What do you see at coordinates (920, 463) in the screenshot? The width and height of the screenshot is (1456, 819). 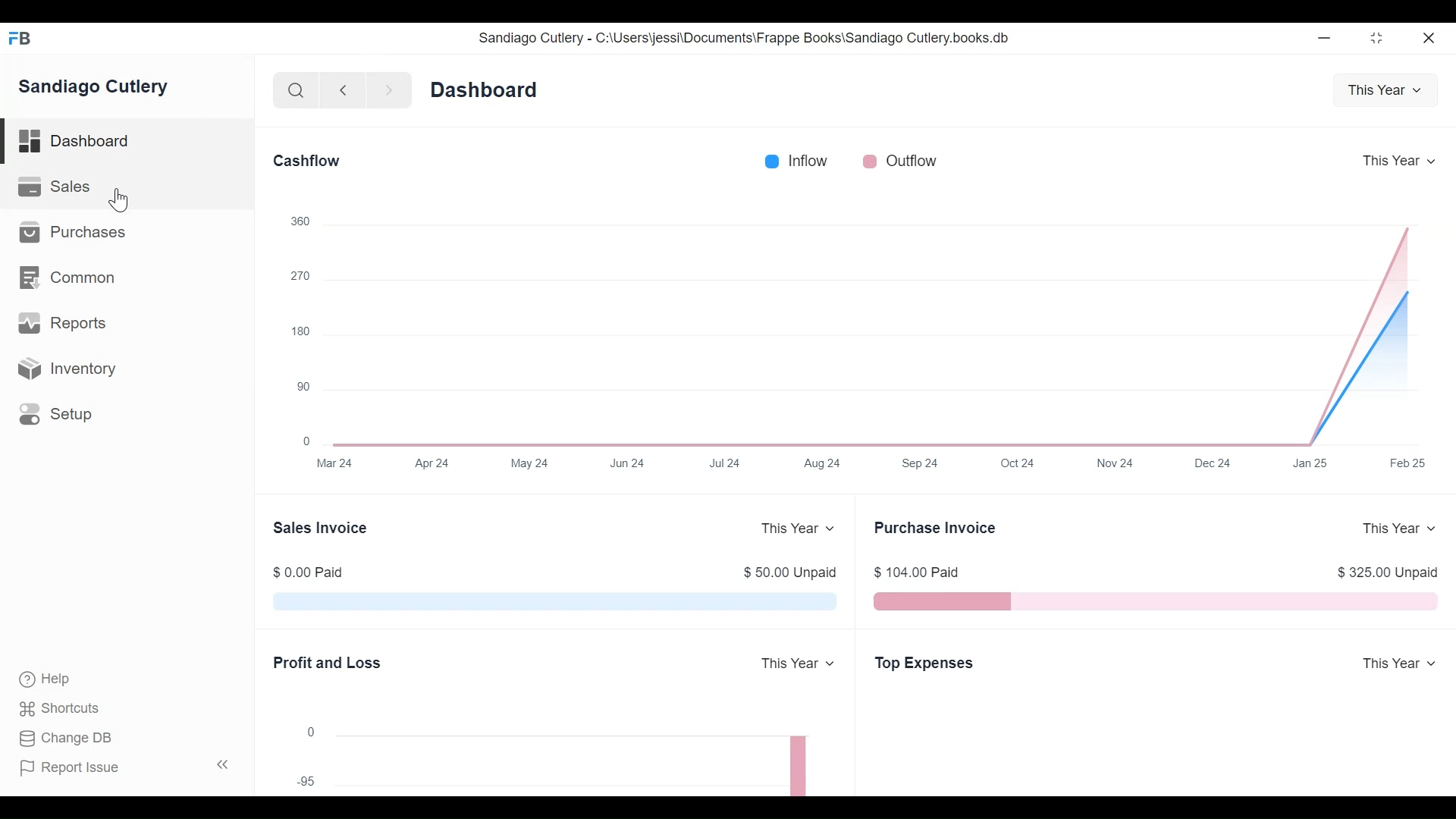 I see `Sep 24` at bounding box center [920, 463].